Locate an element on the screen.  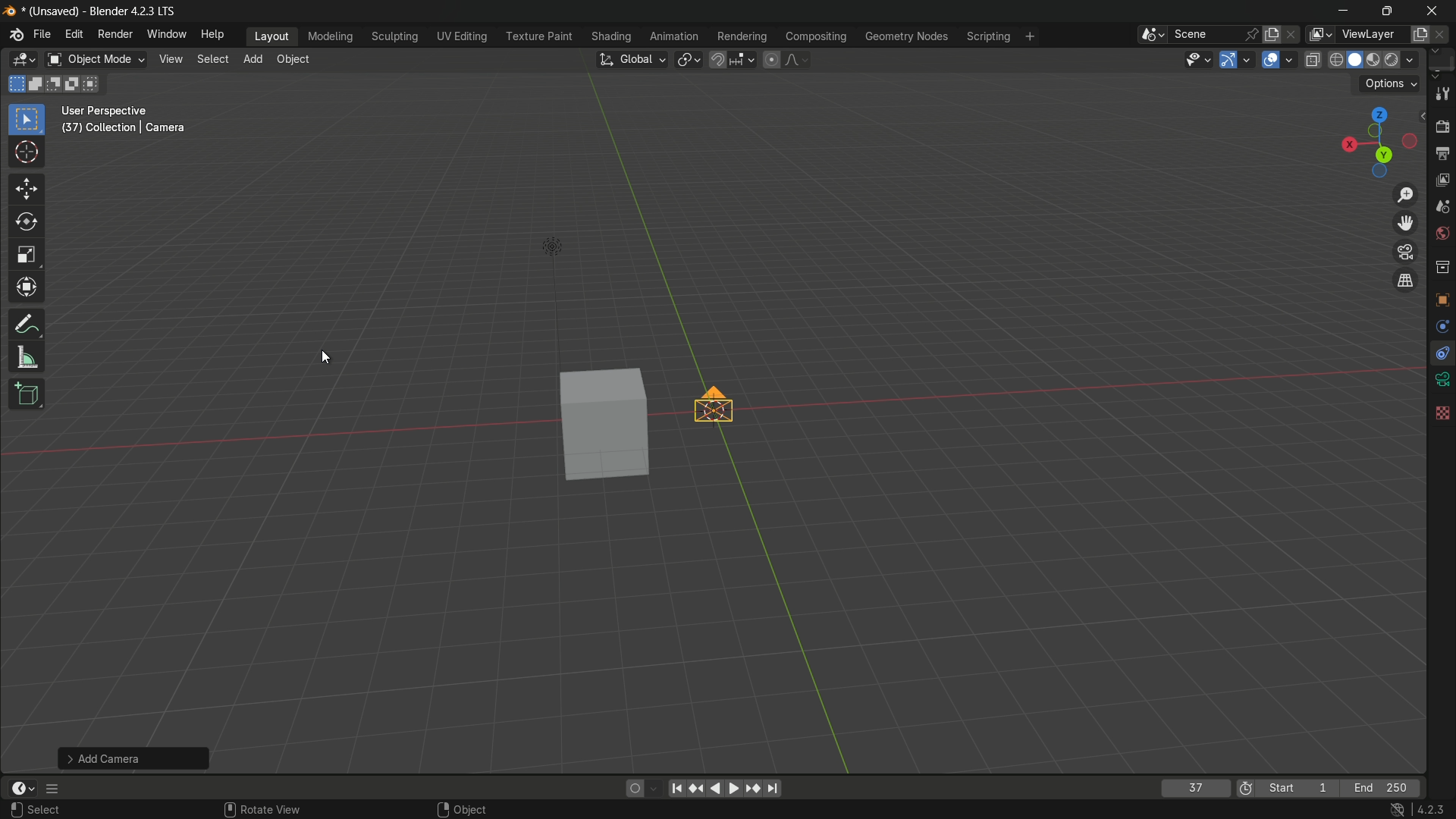
select is located at coordinates (45, 813).